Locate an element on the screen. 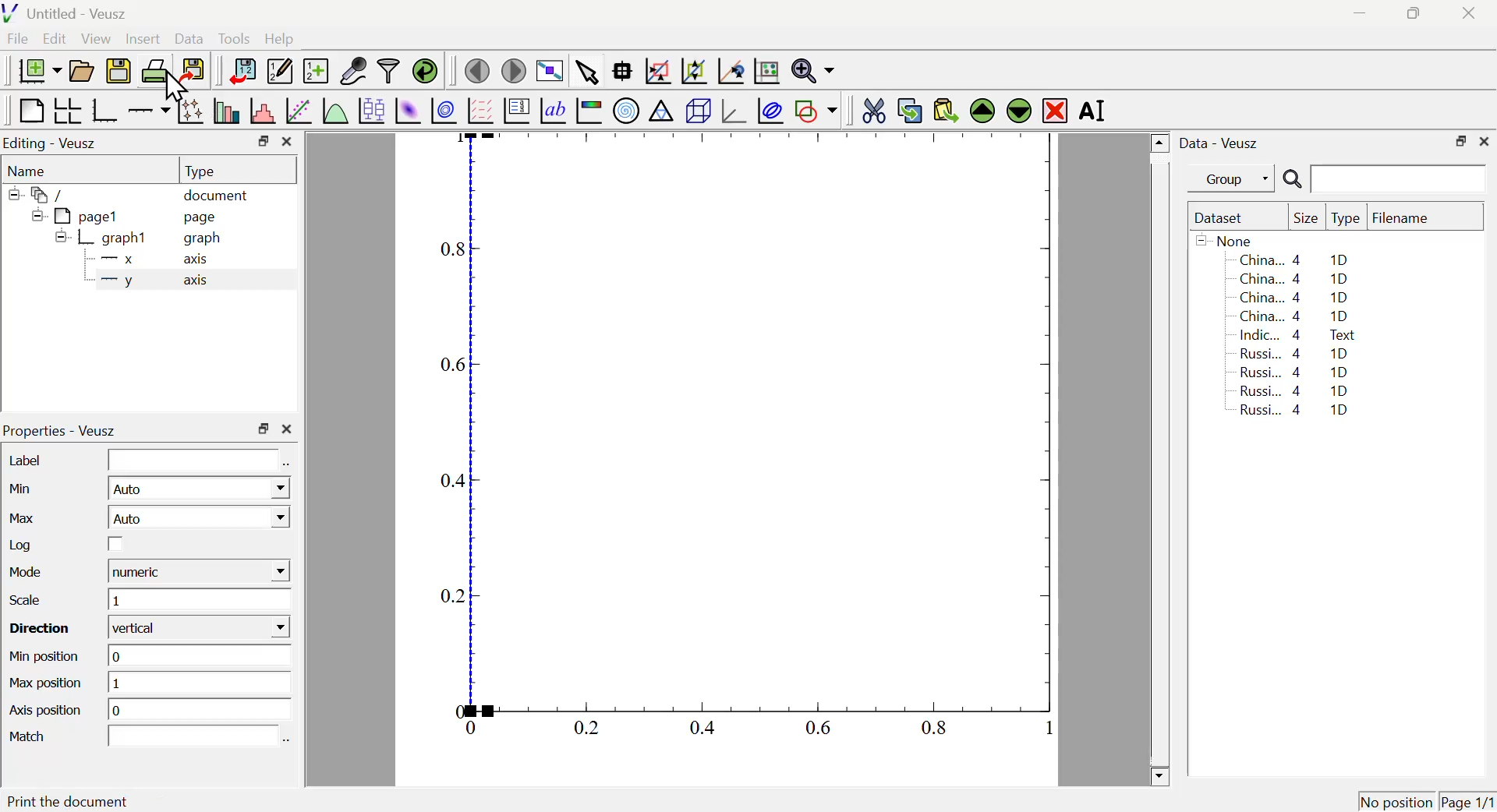 The height and width of the screenshot is (812, 1497). Filename is located at coordinates (1408, 219).